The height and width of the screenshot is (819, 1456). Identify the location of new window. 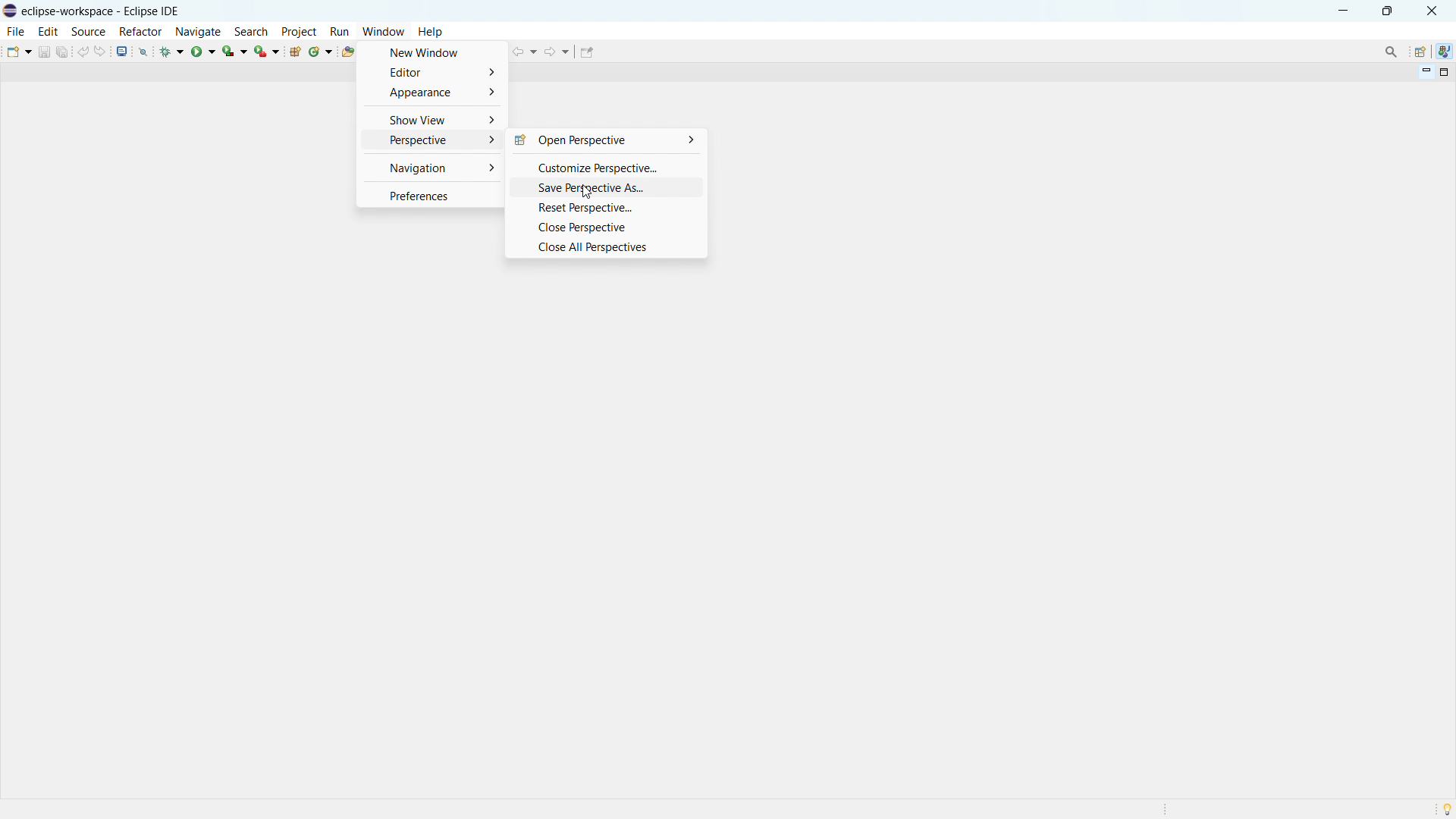
(431, 53).